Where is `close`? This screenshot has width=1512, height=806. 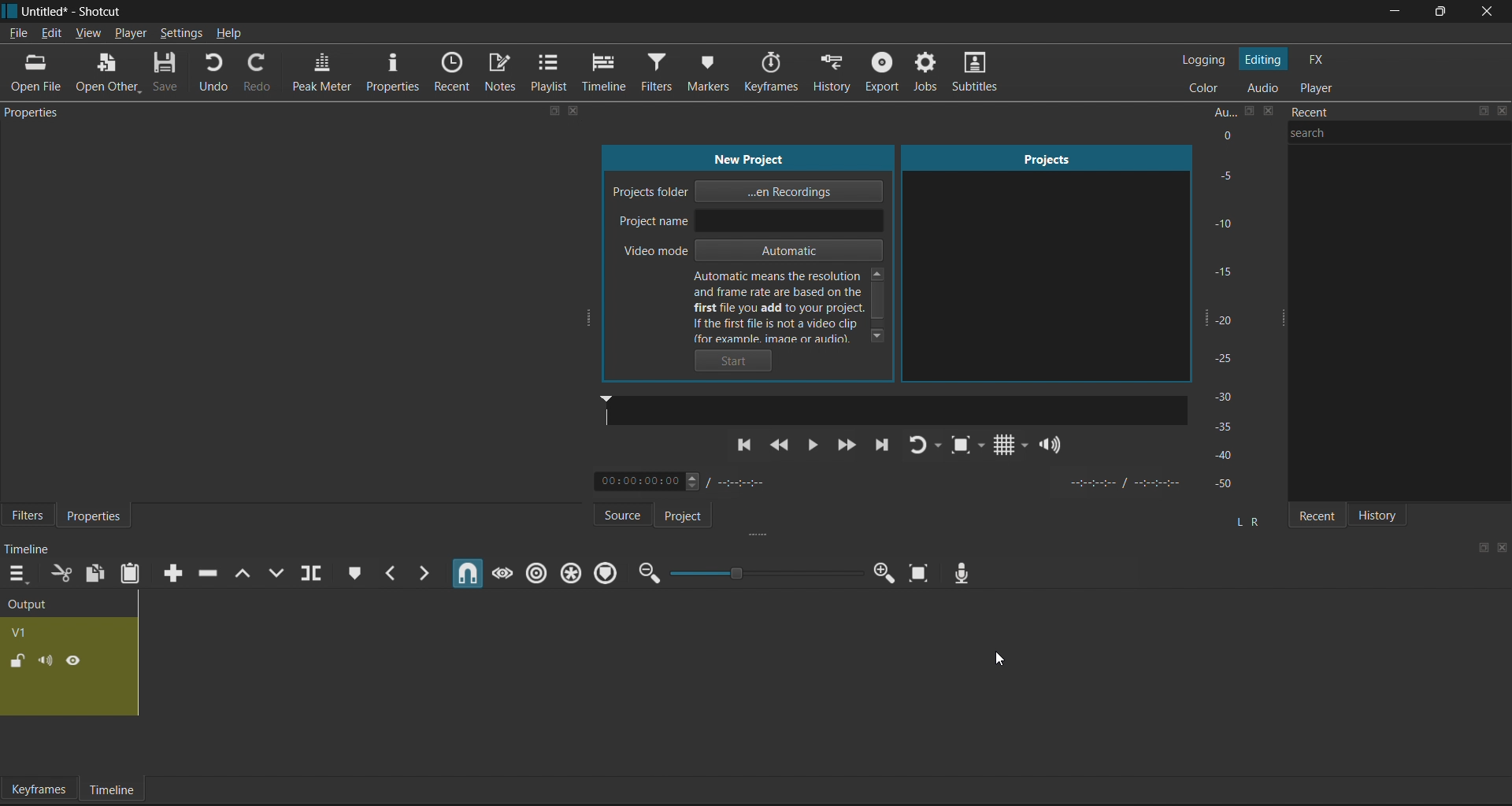
close is located at coordinates (1502, 546).